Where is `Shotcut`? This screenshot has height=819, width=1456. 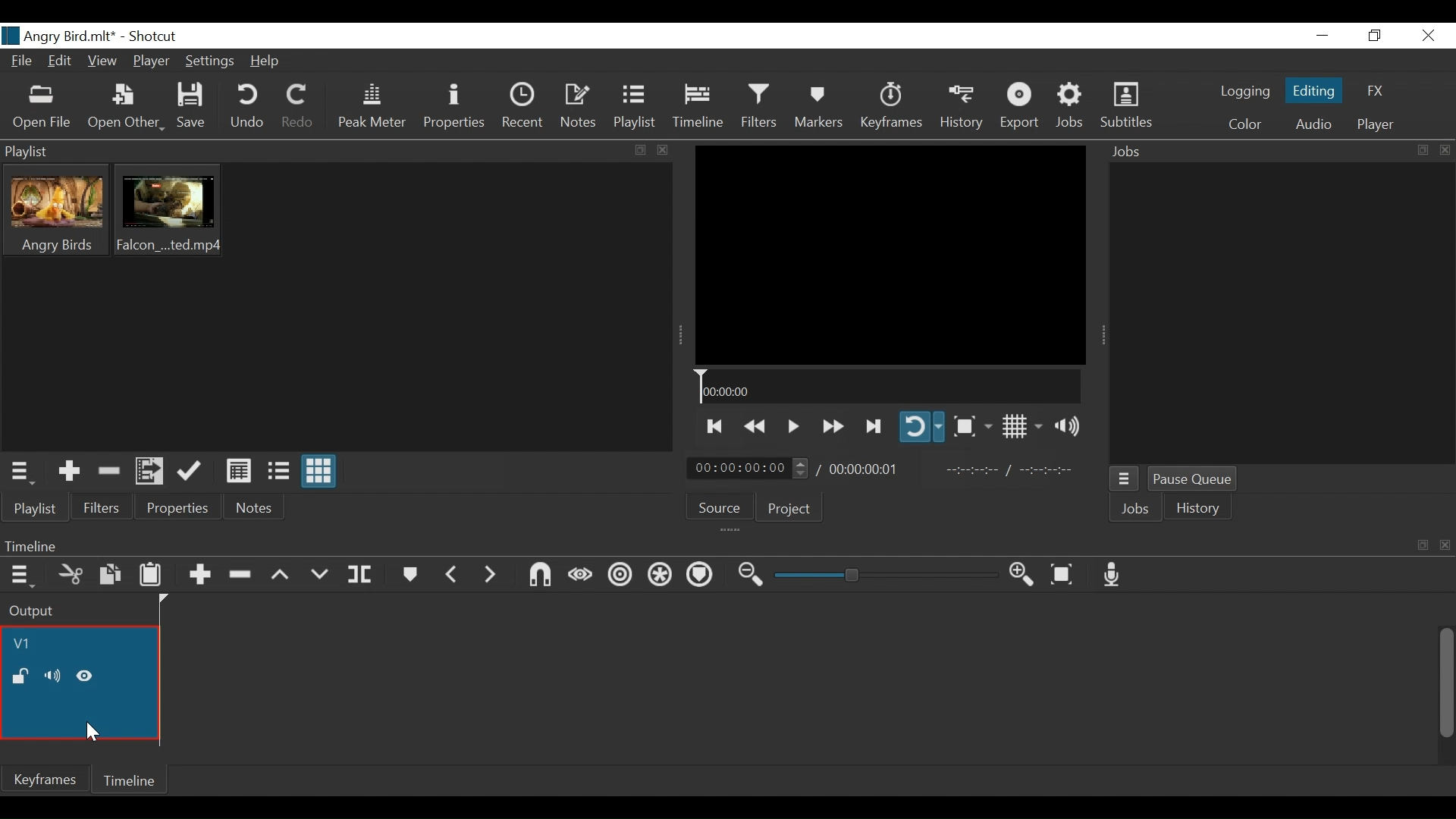 Shotcut is located at coordinates (154, 36).